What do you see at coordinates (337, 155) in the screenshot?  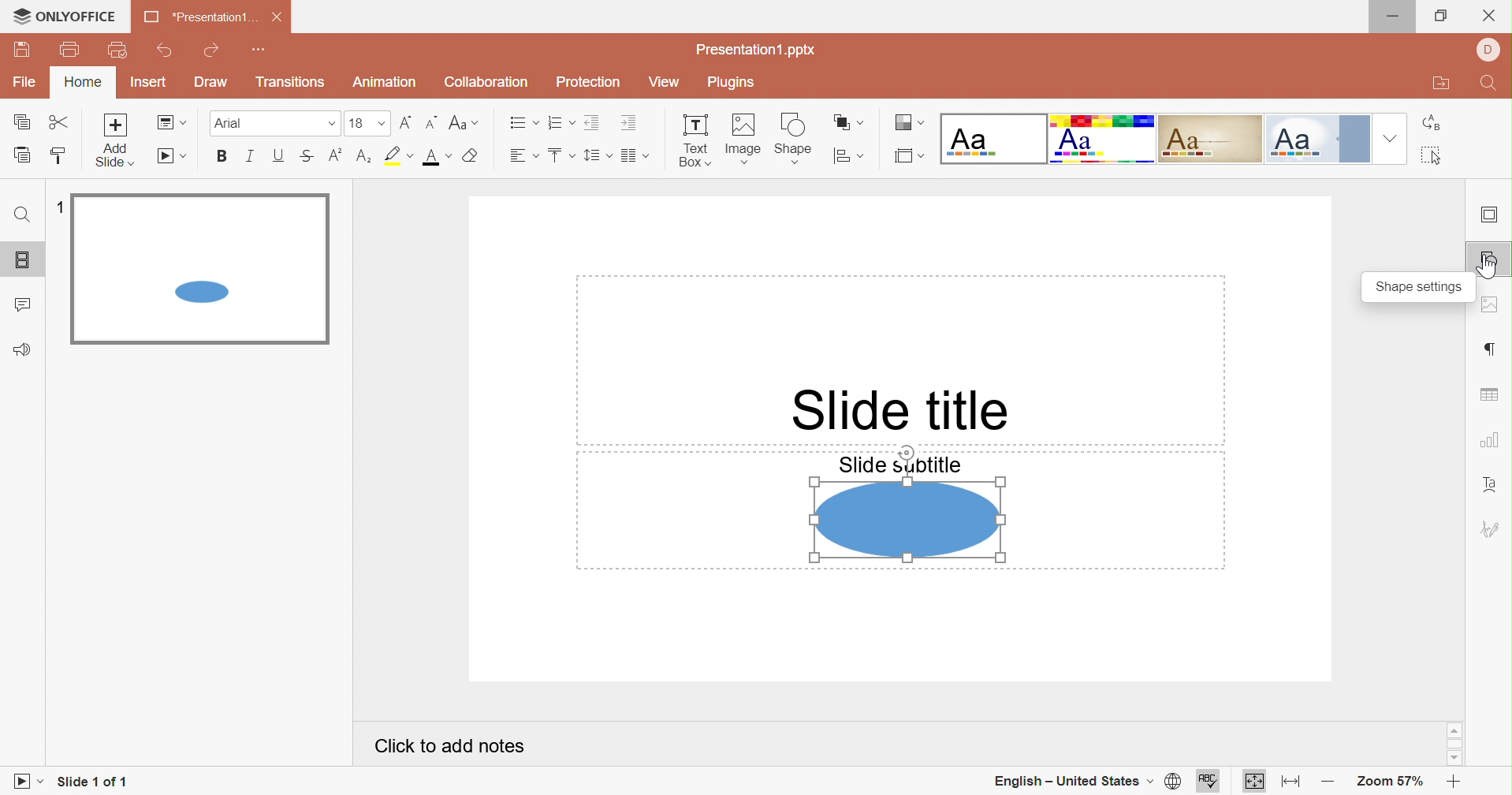 I see `Superscript` at bounding box center [337, 155].